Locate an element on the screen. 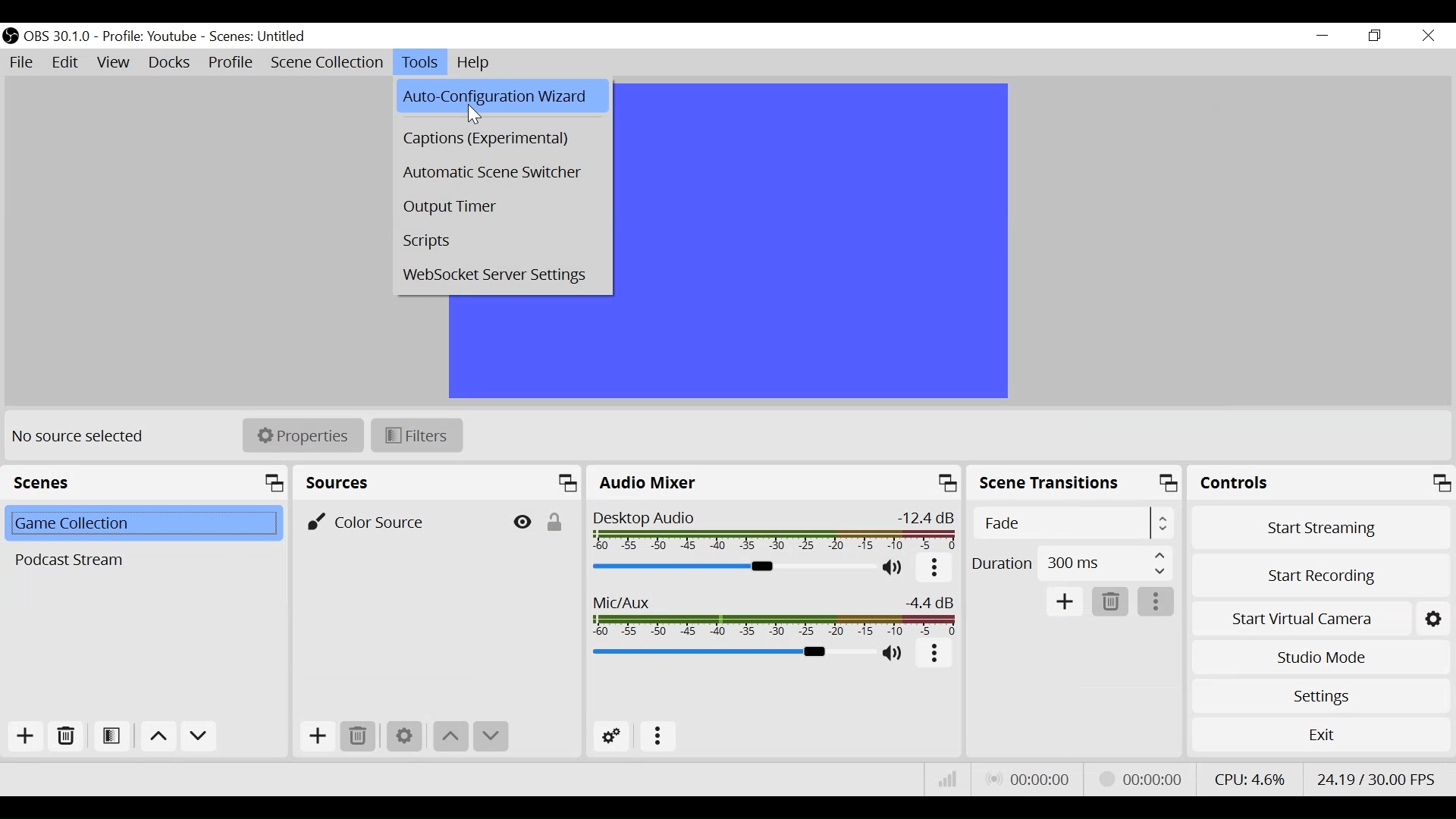 This screenshot has height=819, width=1456. (un)lock is located at coordinates (554, 519).